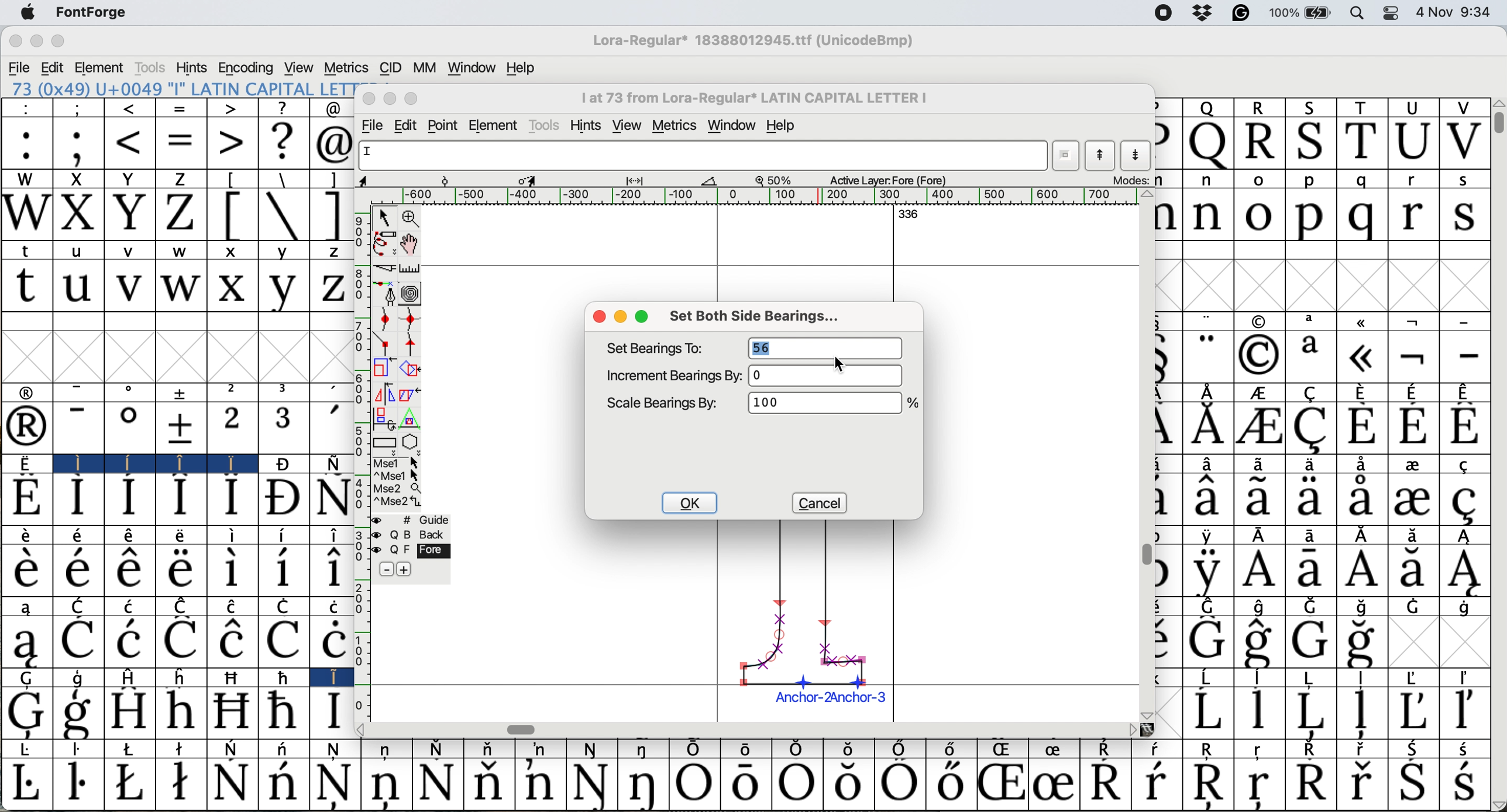  What do you see at coordinates (129, 711) in the screenshot?
I see `Symbol` at bounding box center [129, 711].